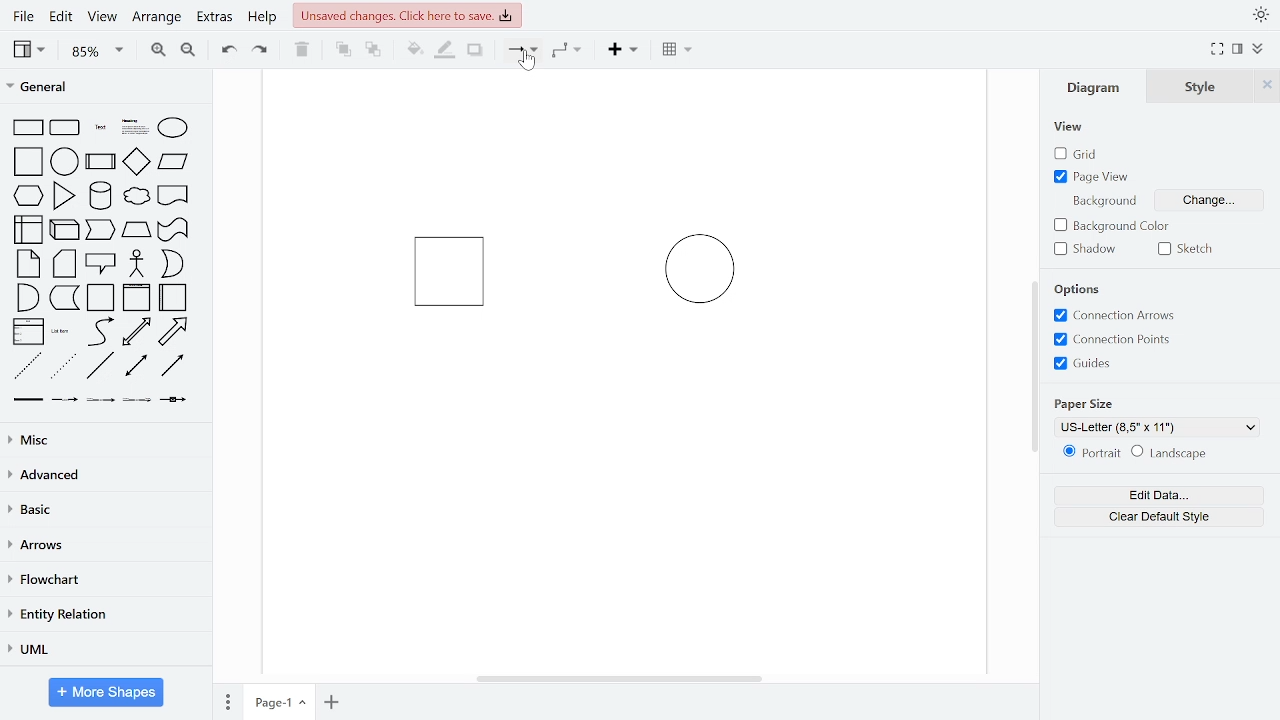  What do you see at coordinates (32, 49) in the screenshot?
I see `view` at bounding box center [32, 49].